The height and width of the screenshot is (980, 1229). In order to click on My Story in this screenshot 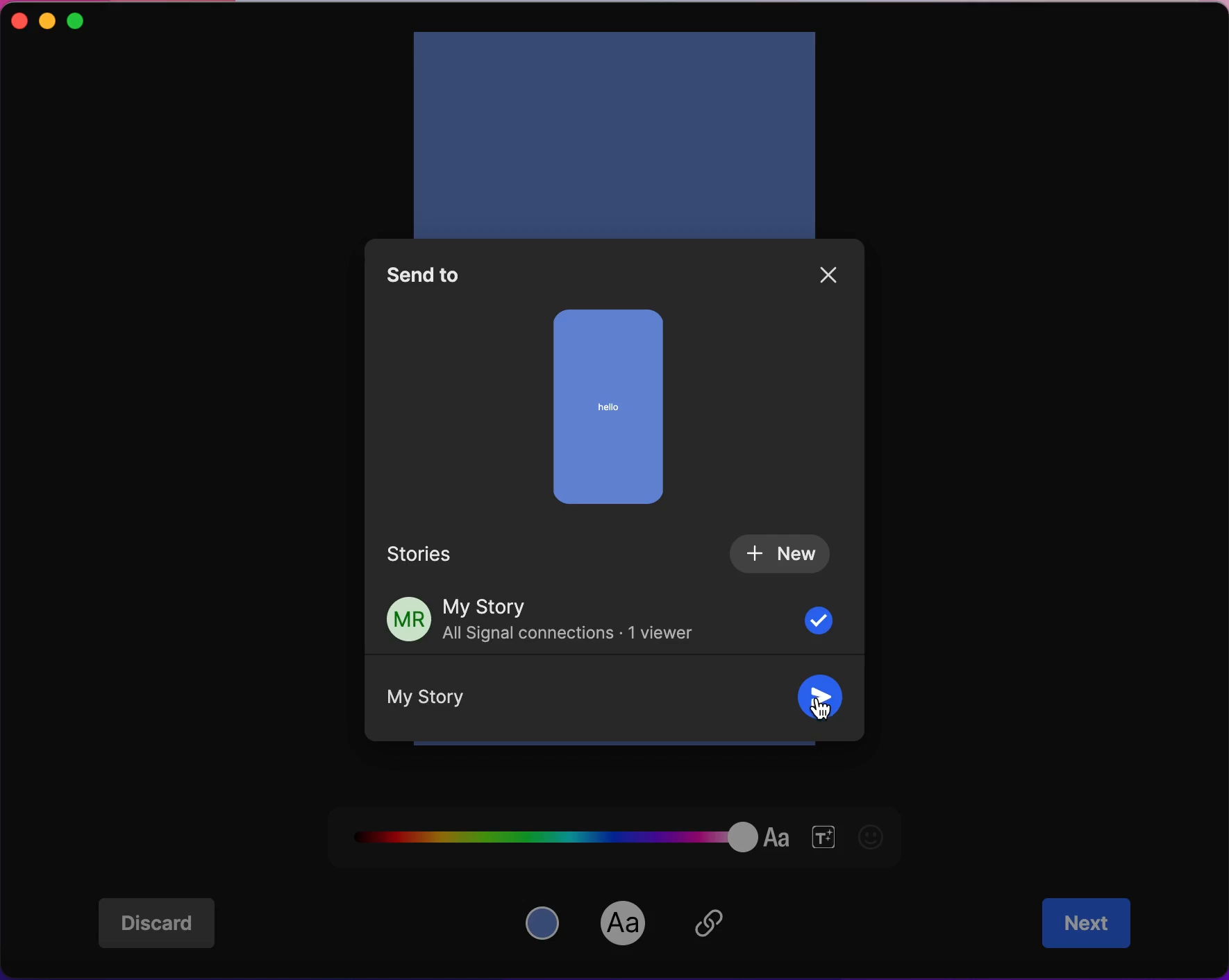, I will do `click(422, 700)`.